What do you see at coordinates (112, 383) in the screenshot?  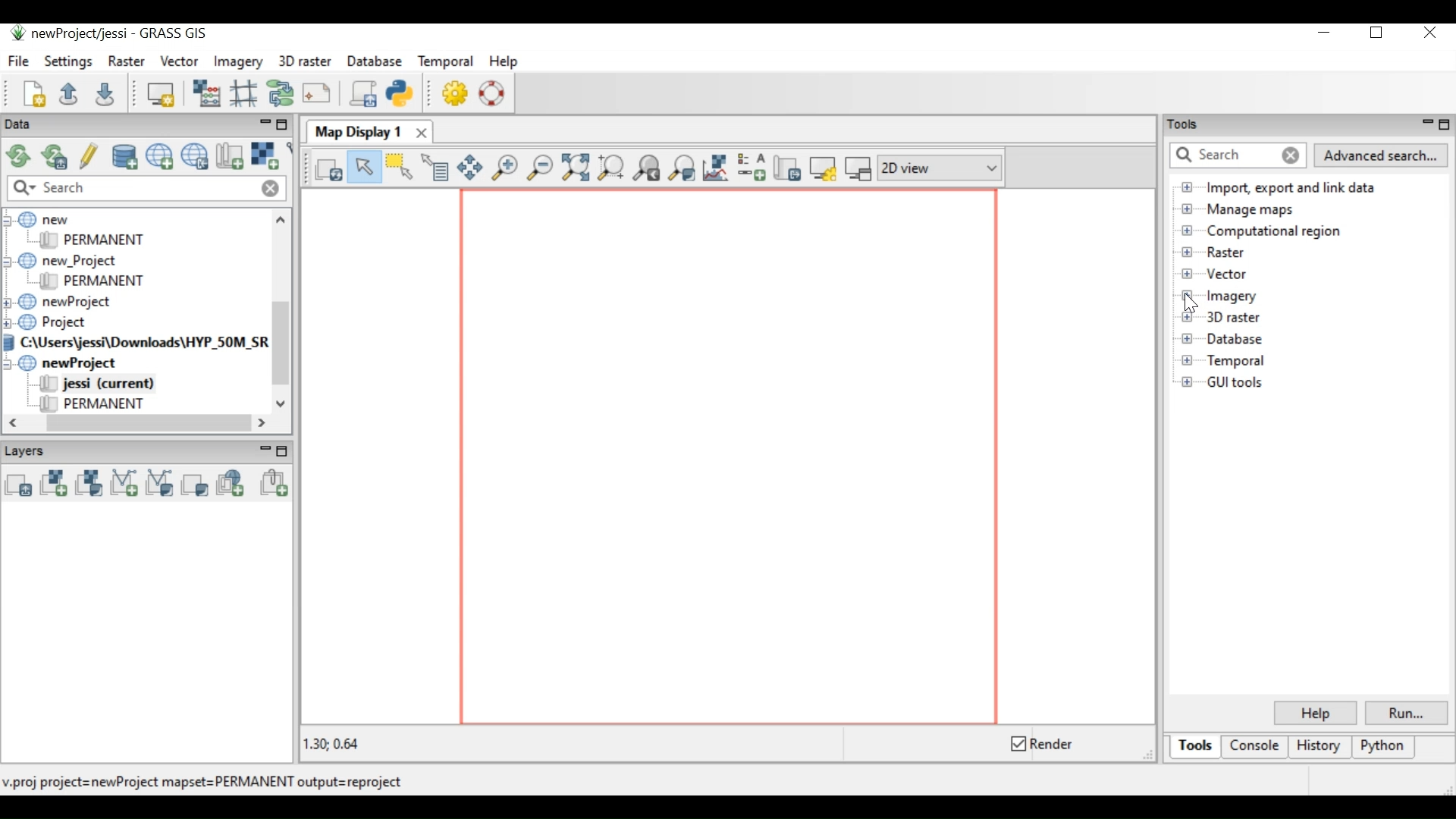 I see `jessi (current)` at bounding box center [112, 383].